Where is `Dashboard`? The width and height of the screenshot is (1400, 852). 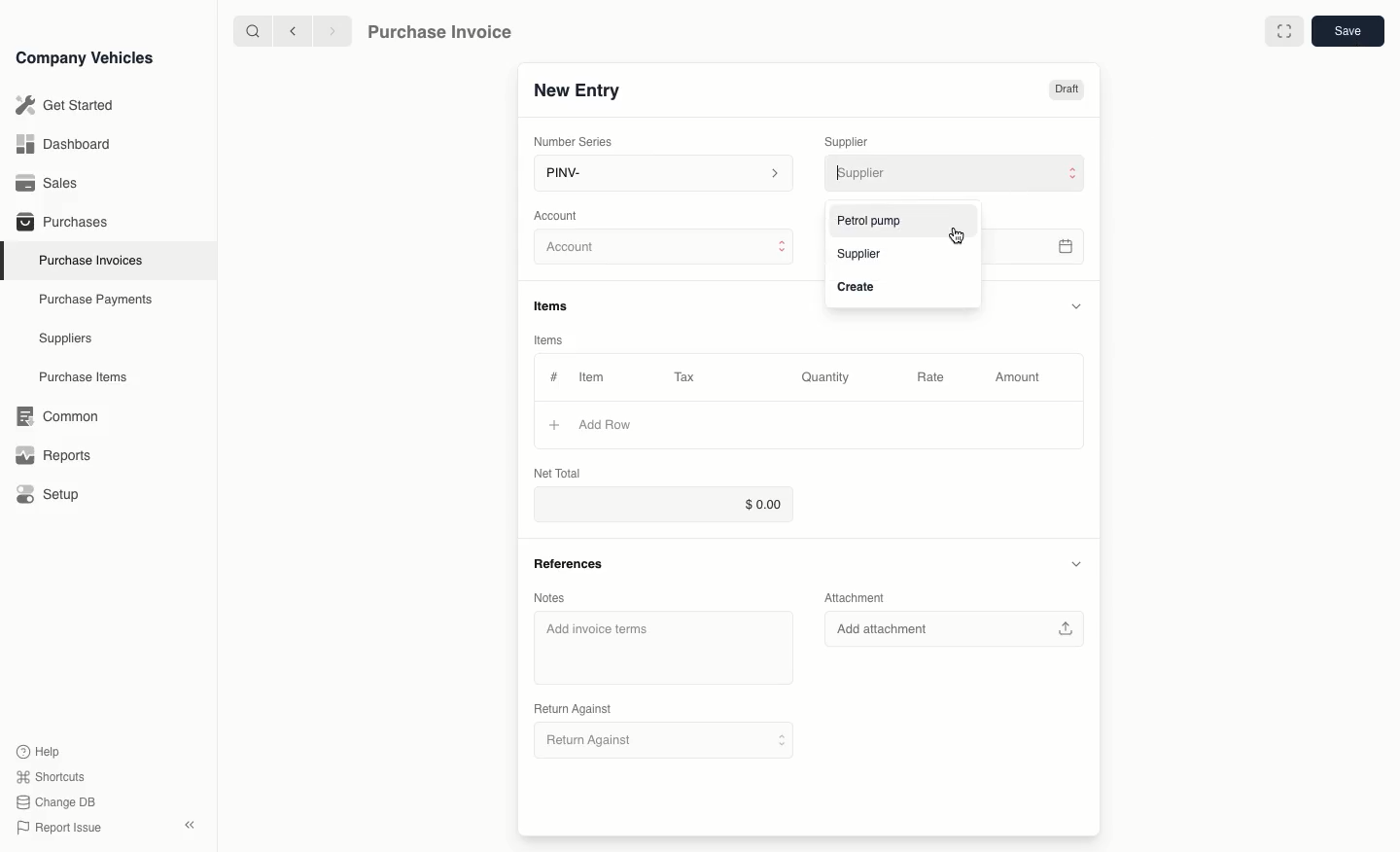 Dashboard is located at coordinates (62, 144).